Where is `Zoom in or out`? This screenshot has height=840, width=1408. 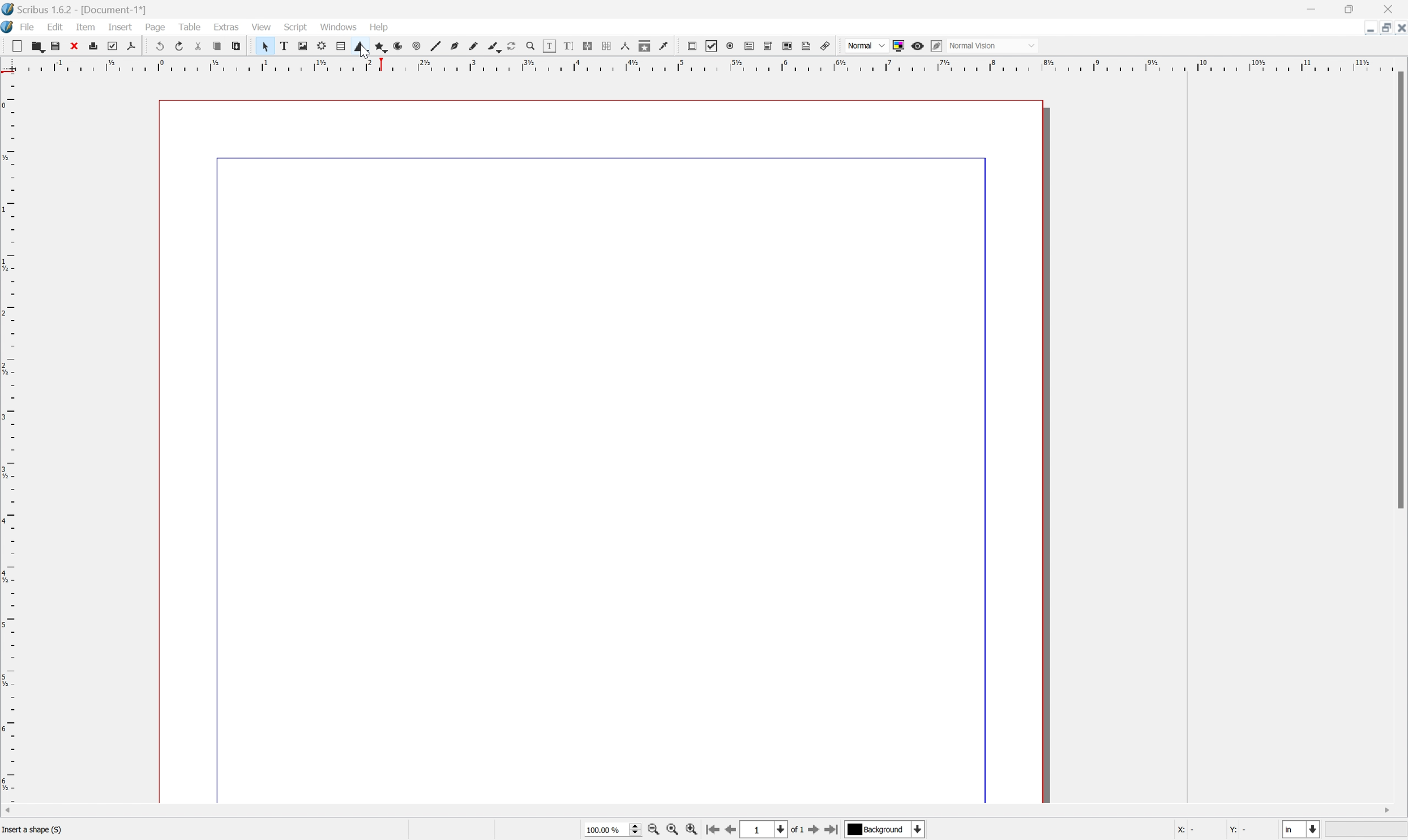
Zoom in or out is located at coordinates (529, 45).